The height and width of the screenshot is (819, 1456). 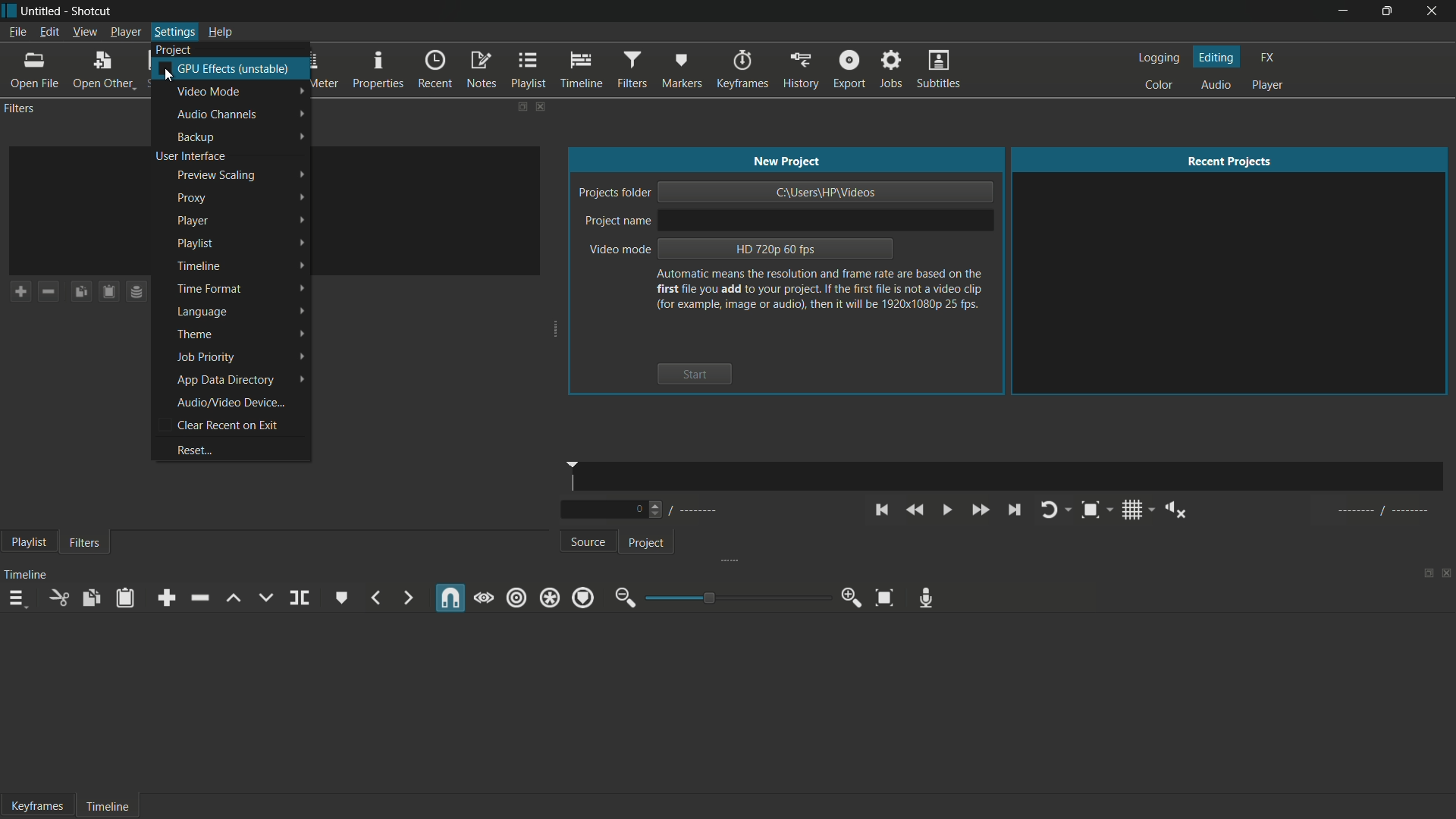 I want to click on backup, so click(x=198, y=137).